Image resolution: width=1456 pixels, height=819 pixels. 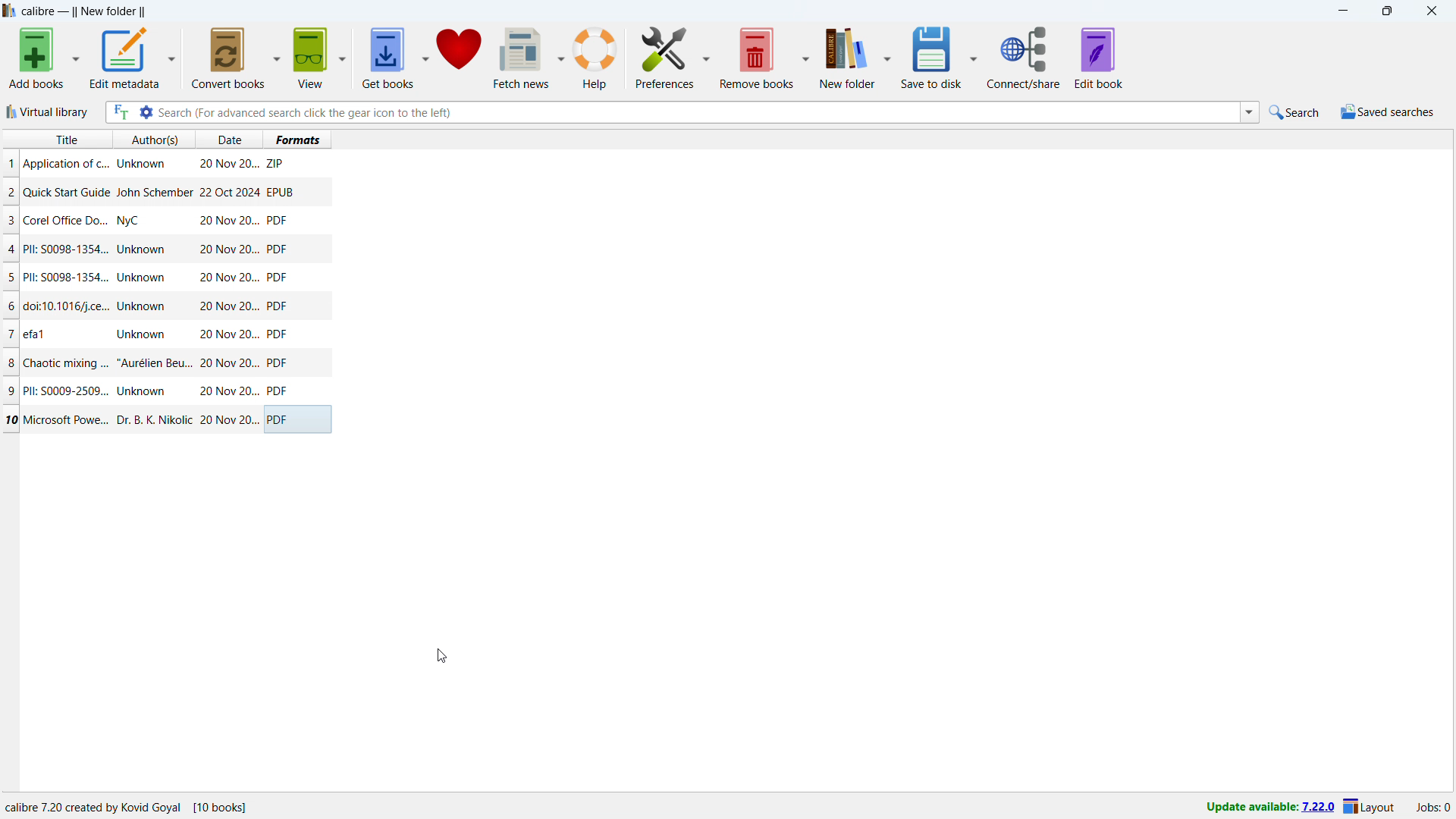 I want to click on doi:10.1016/j.ce..., so click(x=68, y=306).